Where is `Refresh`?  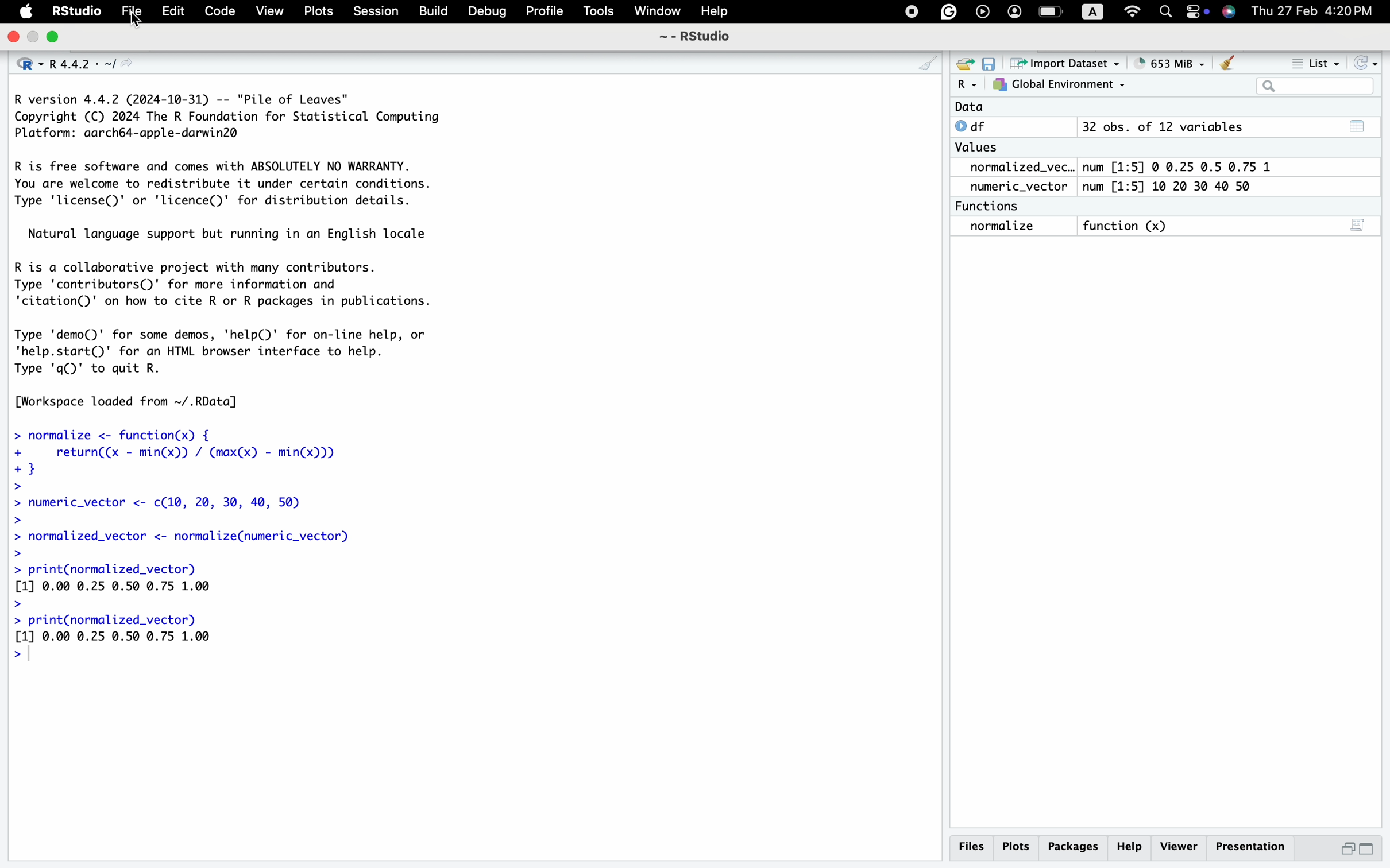 Refresh is located at coordinates (1367, 63).